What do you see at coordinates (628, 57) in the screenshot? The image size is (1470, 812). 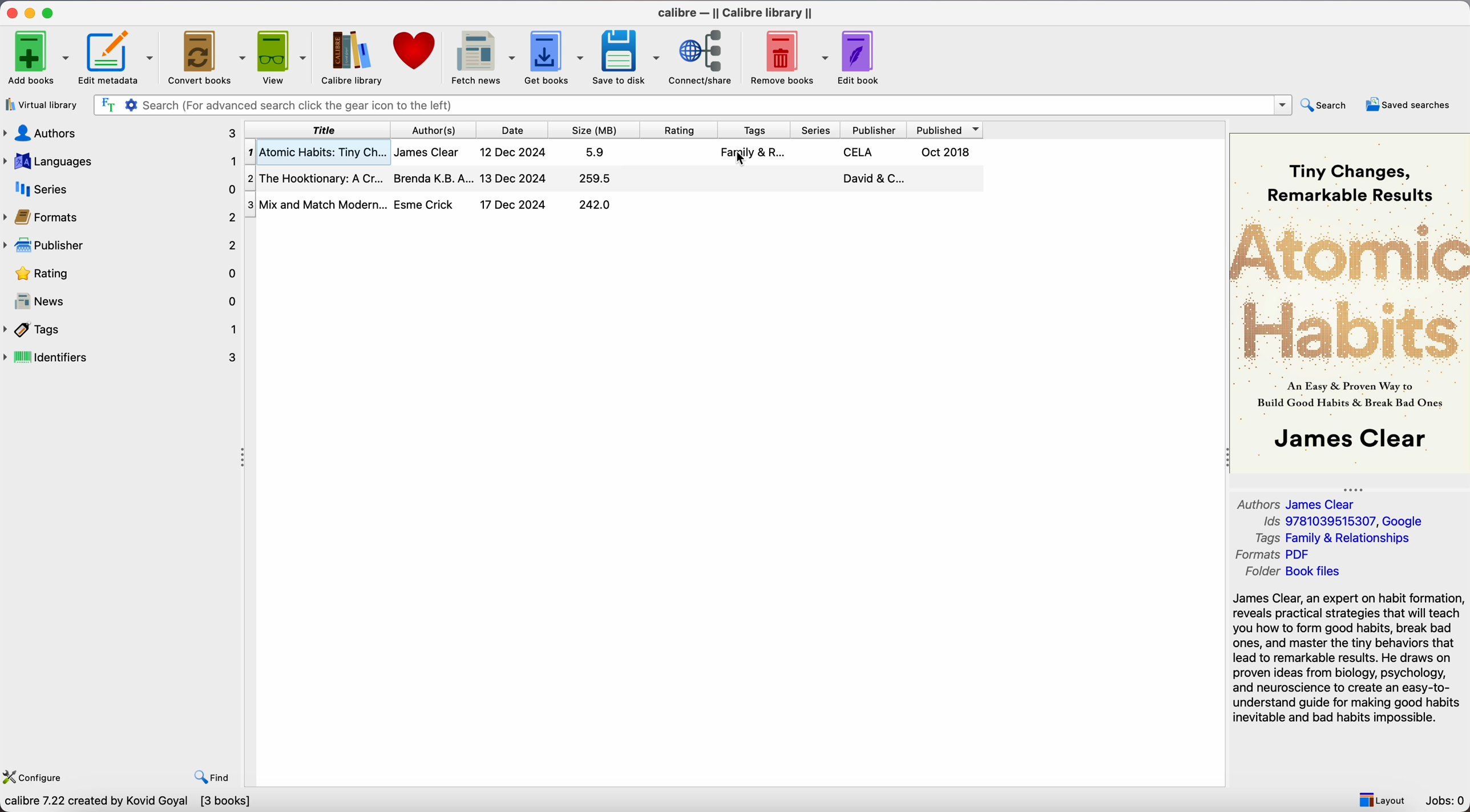 I see `save to disk` at bounding box center [628, 57].